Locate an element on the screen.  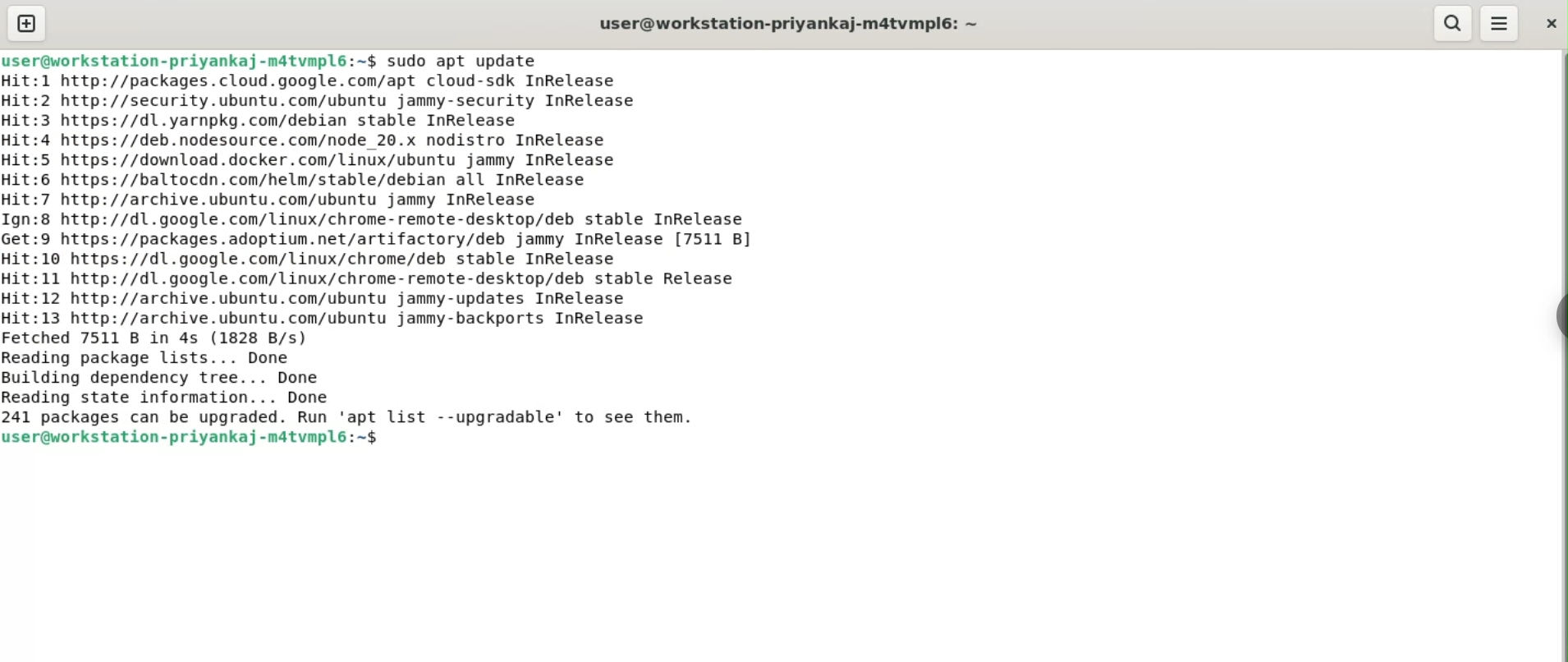
user@workstation-priyankaj-m4tvmpl6:- is located at coordinates (790, 24).